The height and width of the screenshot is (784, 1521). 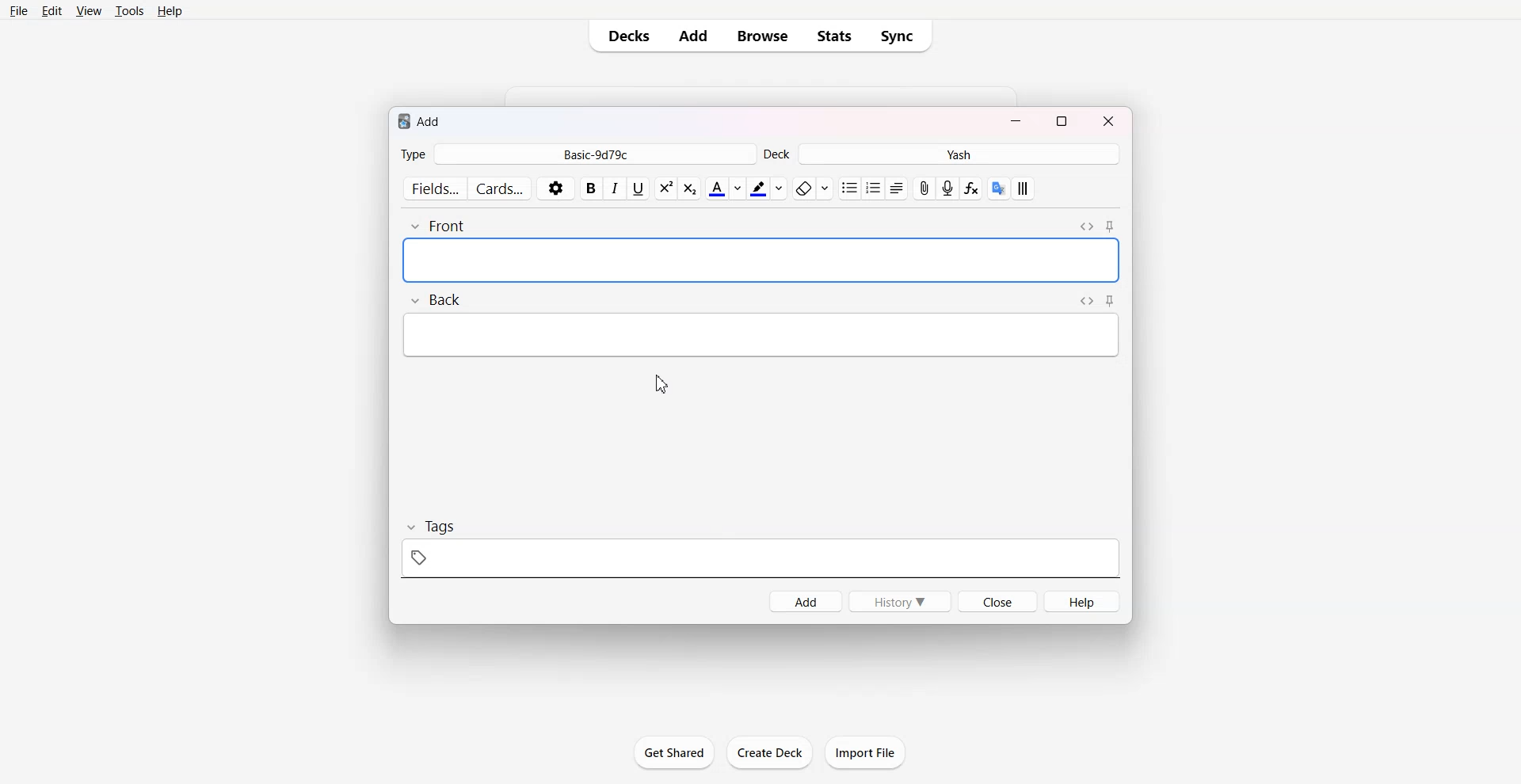 I want to click on Get Shared, so click(x=674, y=752).